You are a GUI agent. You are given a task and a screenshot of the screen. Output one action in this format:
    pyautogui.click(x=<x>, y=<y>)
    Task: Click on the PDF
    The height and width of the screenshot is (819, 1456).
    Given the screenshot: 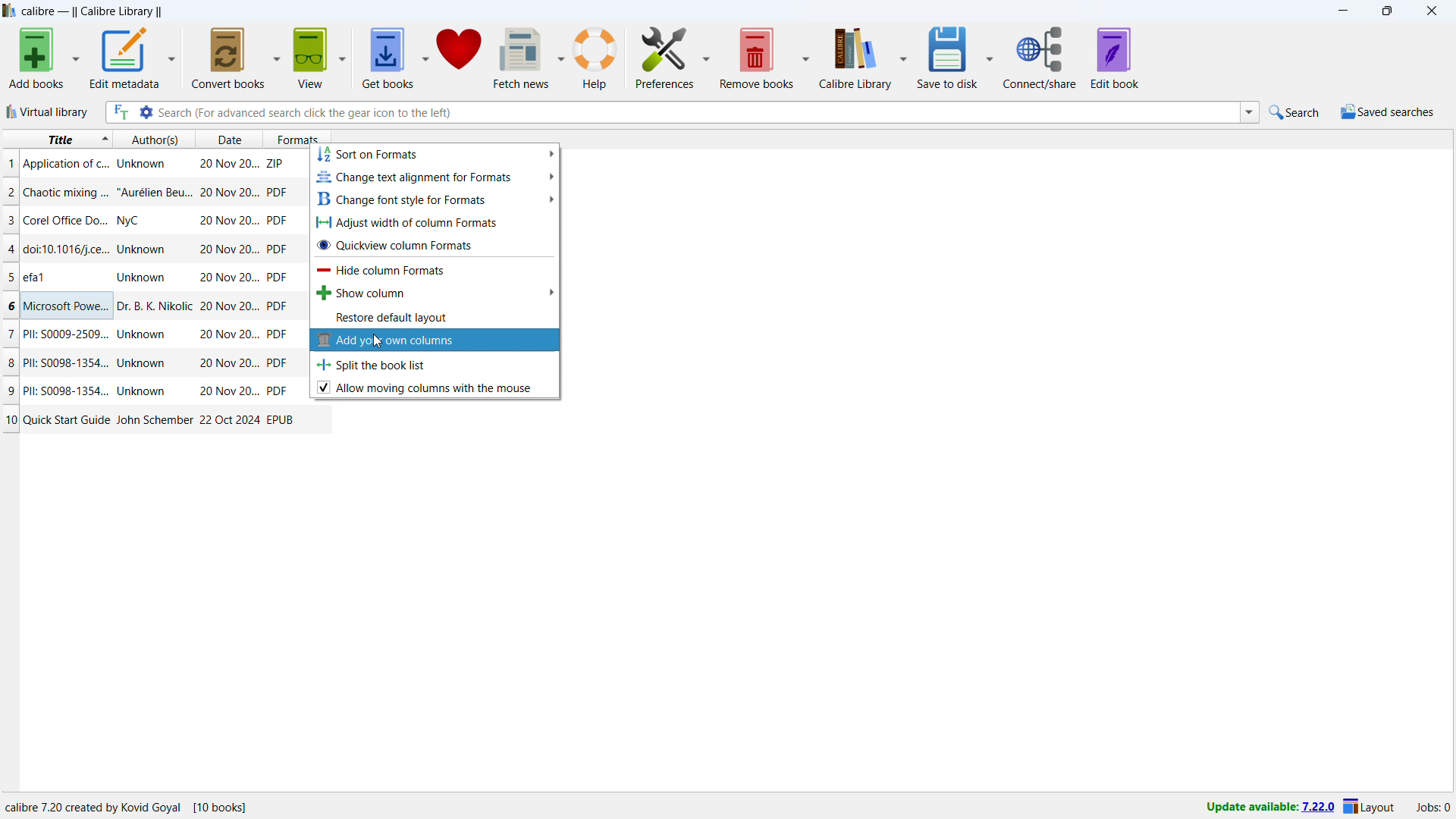 What is the action you would take?
    pyautogui.click(x=278, y=307)
    